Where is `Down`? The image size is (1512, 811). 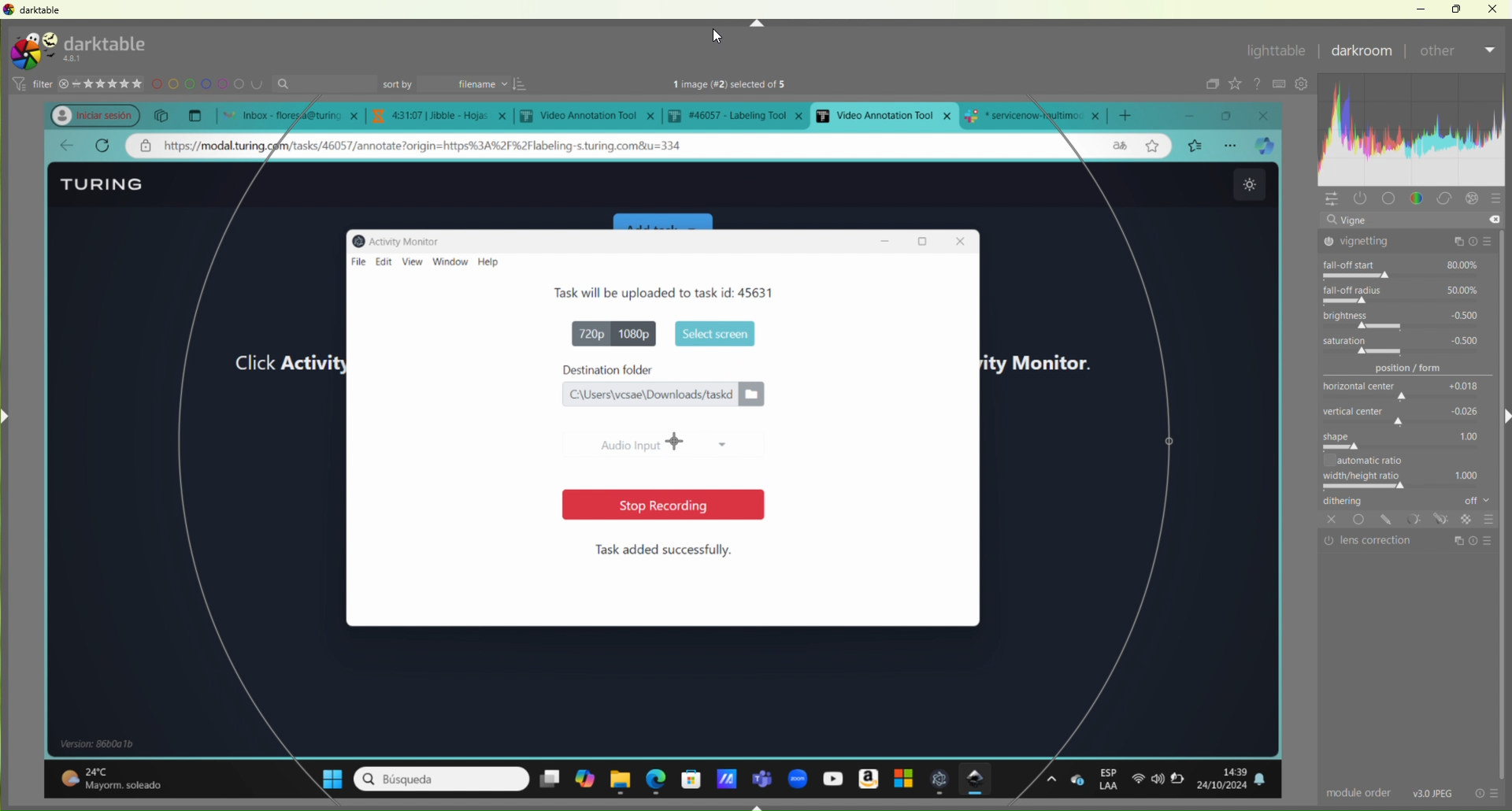
Down is located at coordinates (758, 805).